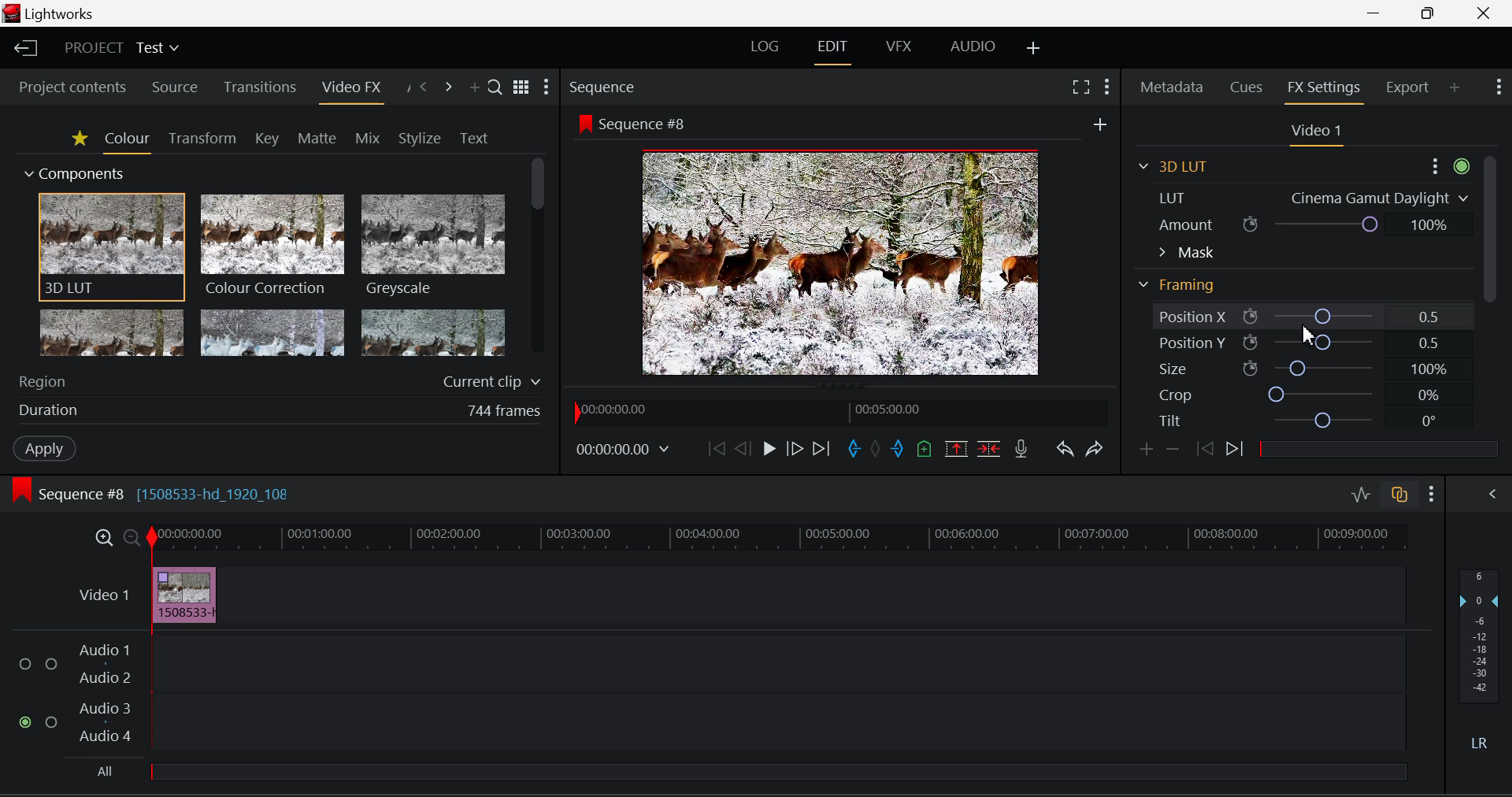 Image resolution: width=1512 pixels, height=797 pixels. Describe the element at coordinates (535, 259) in the screenshot. I see `Scroll Bar` at that location.